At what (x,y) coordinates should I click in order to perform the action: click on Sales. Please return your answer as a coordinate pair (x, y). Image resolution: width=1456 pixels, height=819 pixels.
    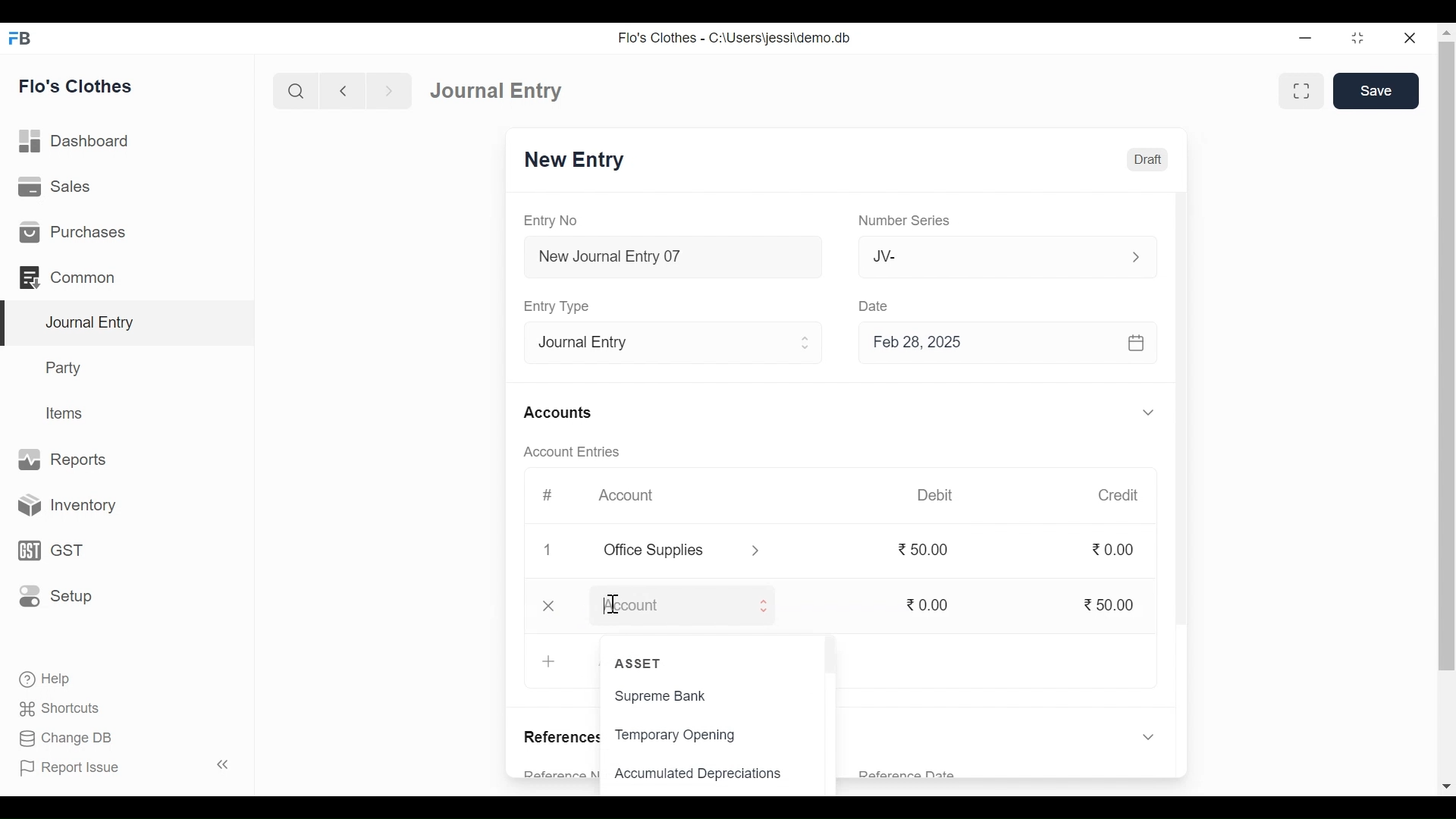
    Looking at the image, I should click on (57, 186).